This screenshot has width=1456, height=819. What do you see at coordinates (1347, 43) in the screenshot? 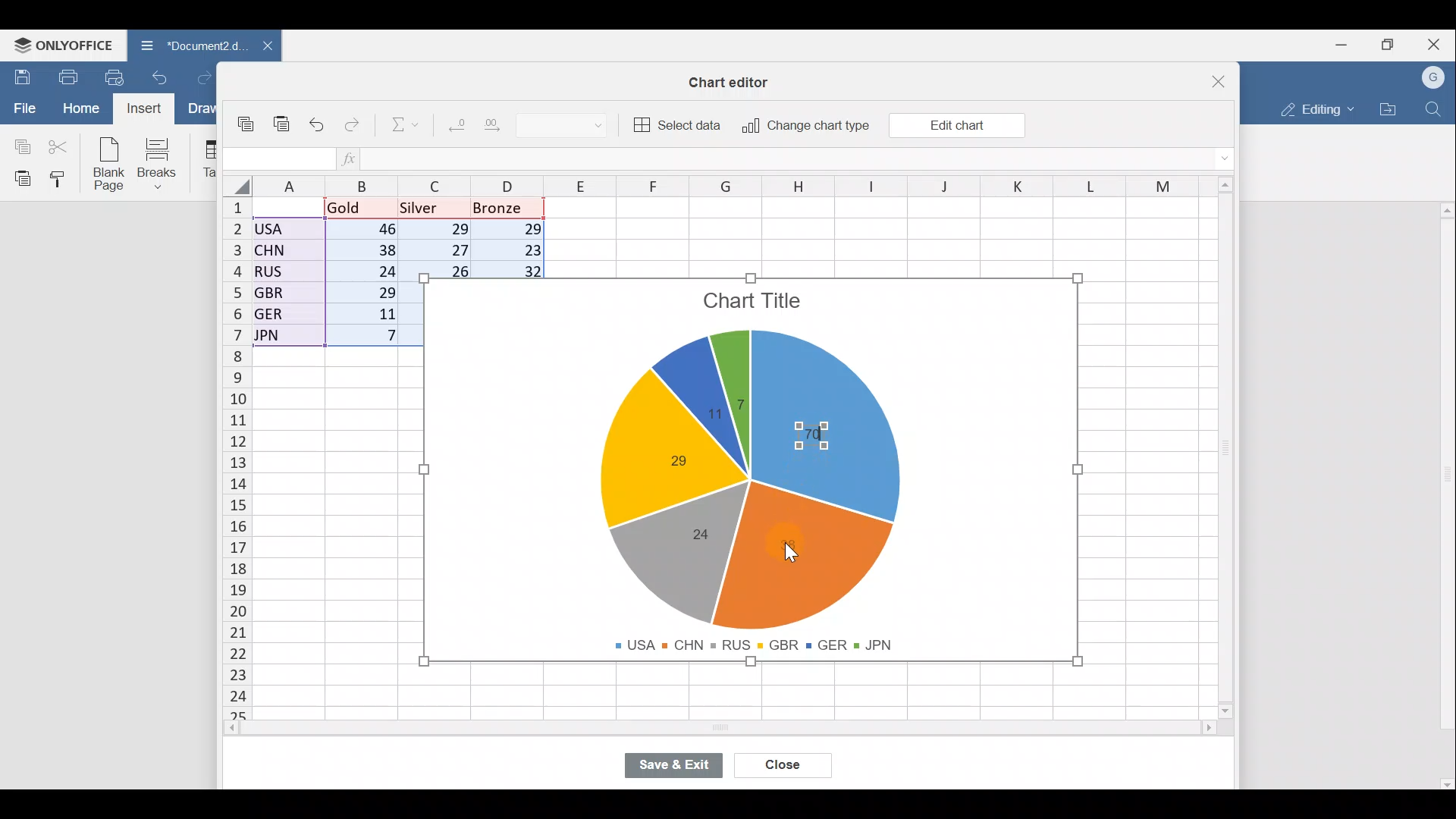
I see `Minimize` at bounding box center [1347, 43].